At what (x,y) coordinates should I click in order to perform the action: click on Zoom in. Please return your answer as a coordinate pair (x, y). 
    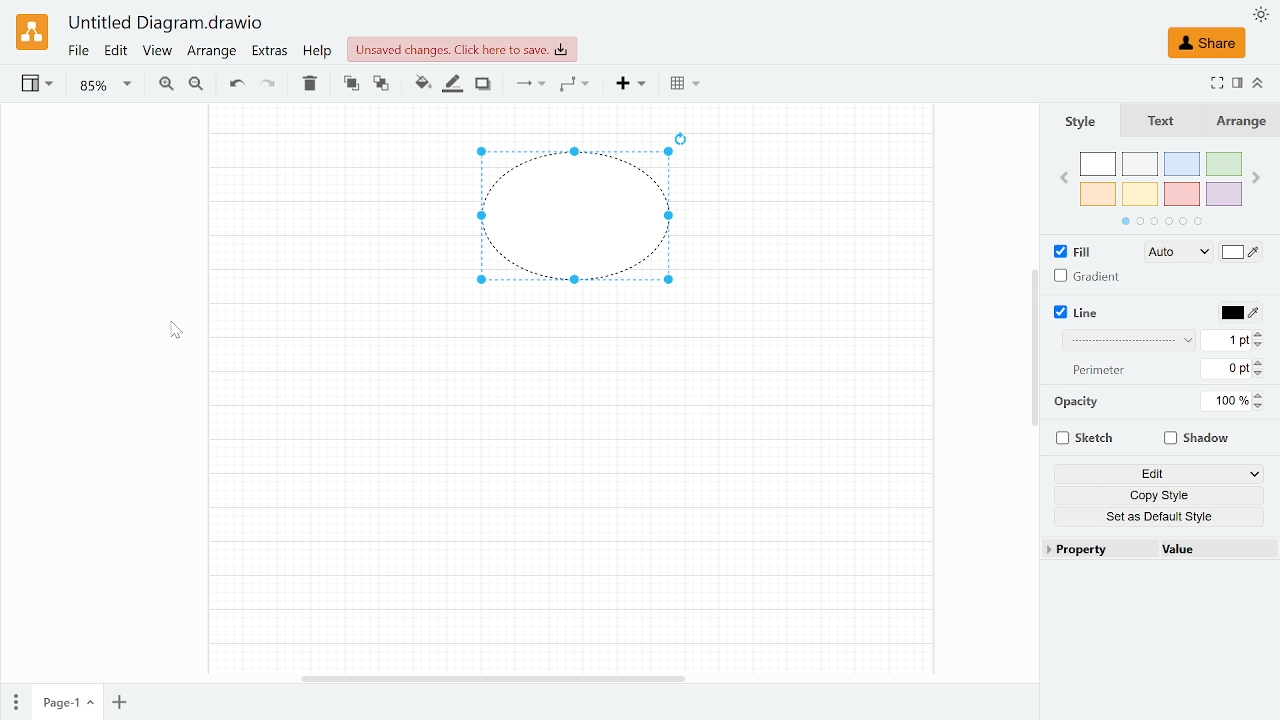
    Looking at the image, I should click on (165, 85).